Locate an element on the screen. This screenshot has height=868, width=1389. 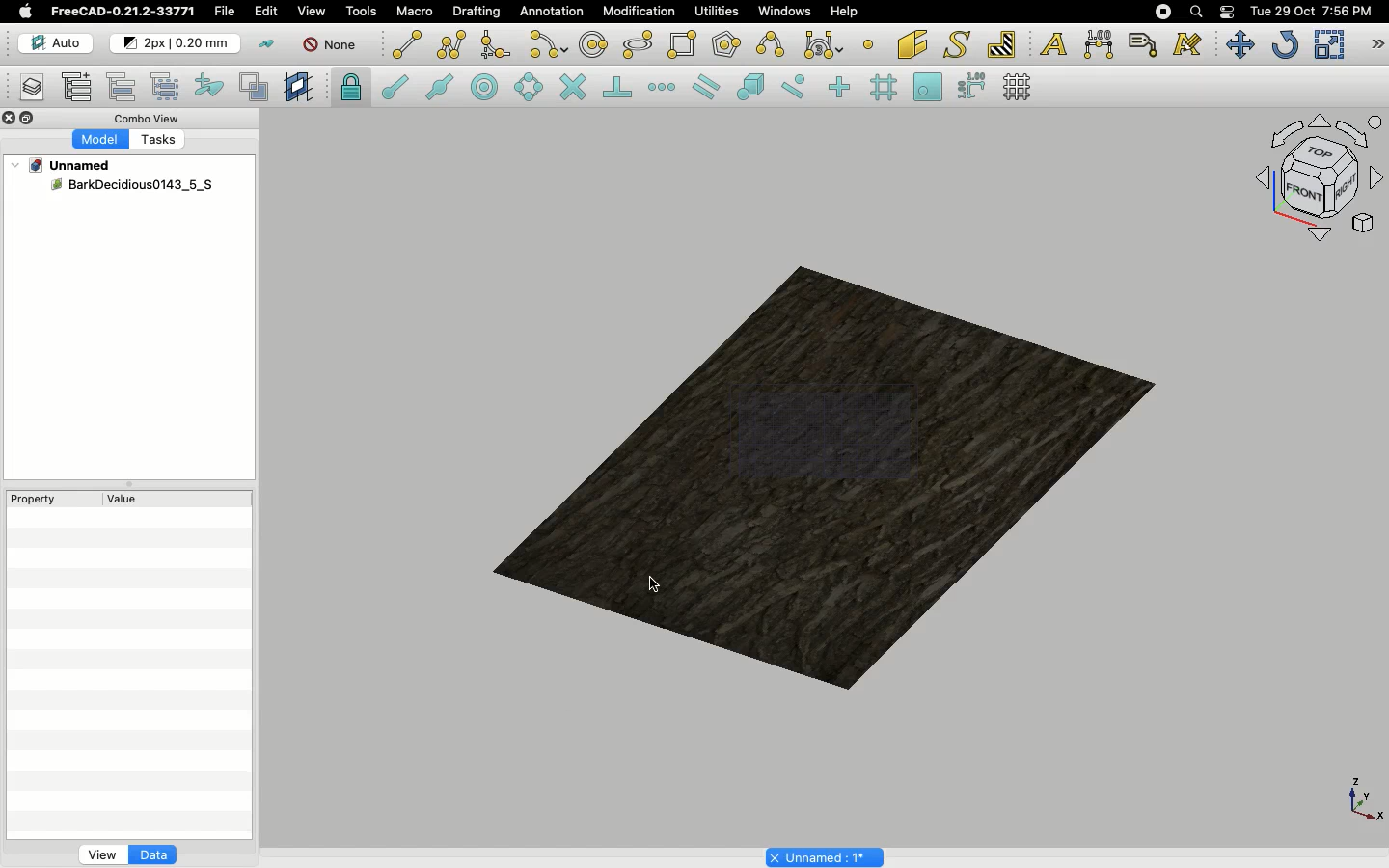
Snap dimensions is located at coordinates (972, 87).